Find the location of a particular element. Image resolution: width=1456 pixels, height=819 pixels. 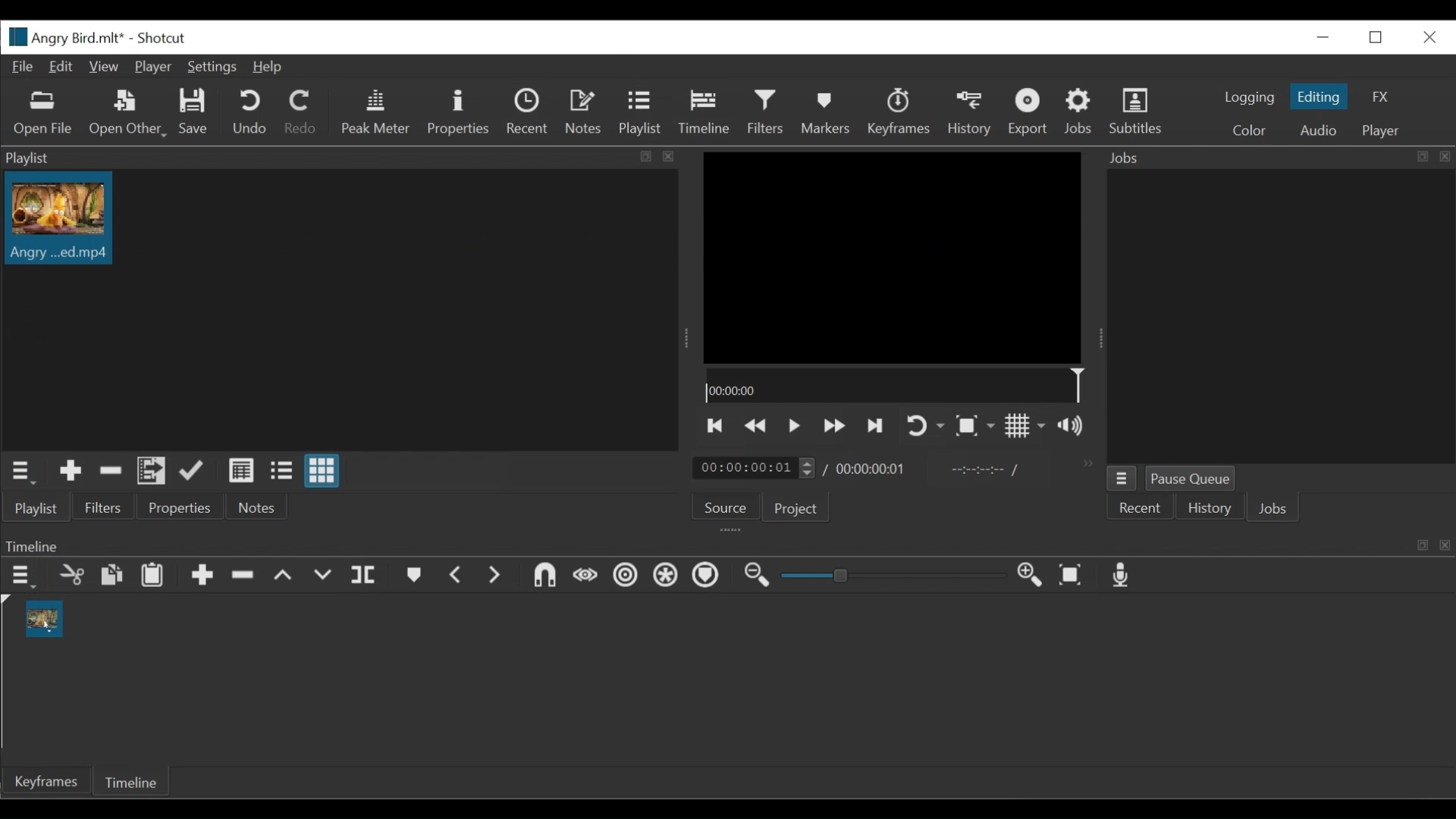

Timeline Panel is located at coordinates (723, 544).